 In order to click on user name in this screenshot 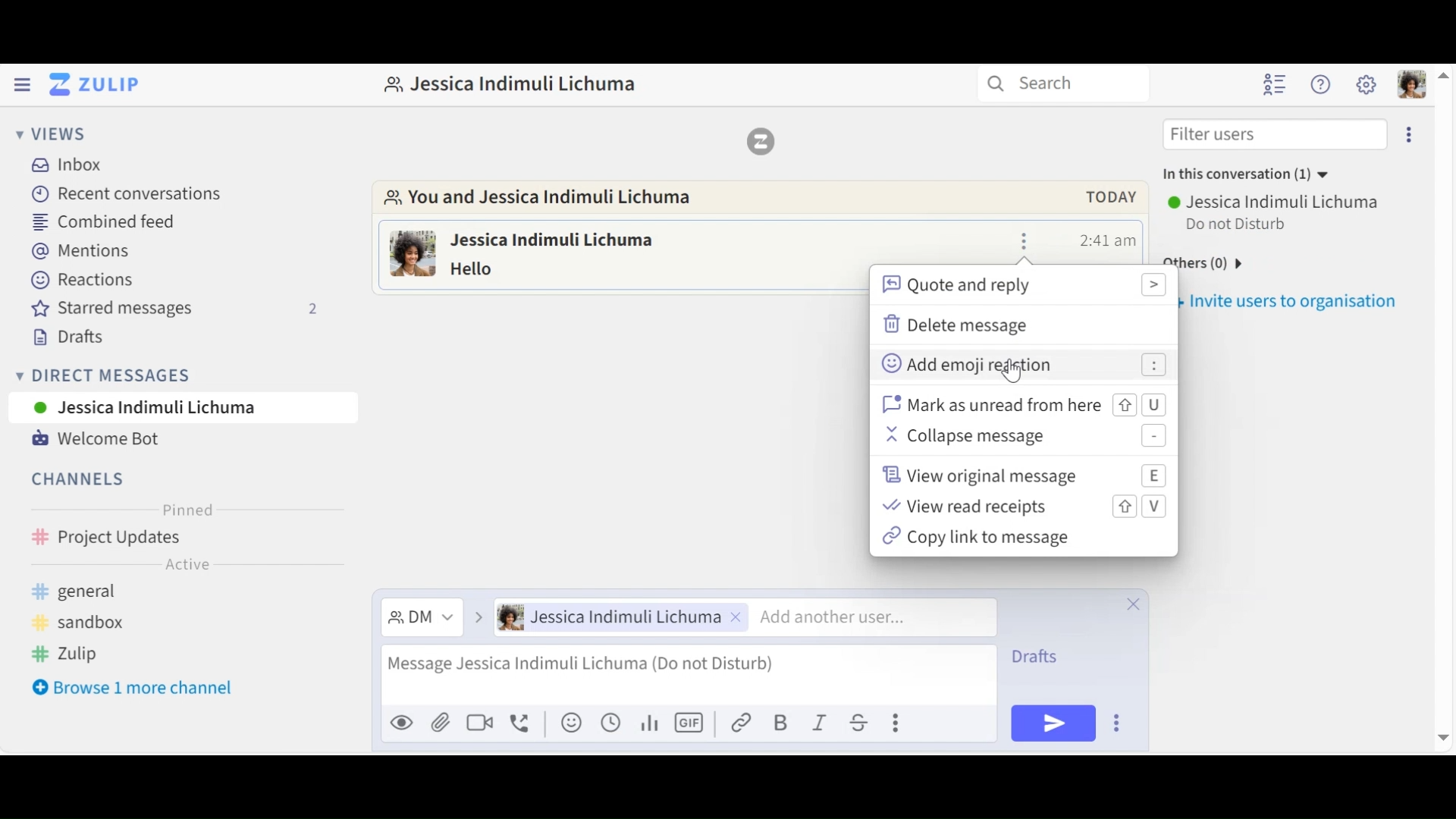, I will do `click(574, 238)`.